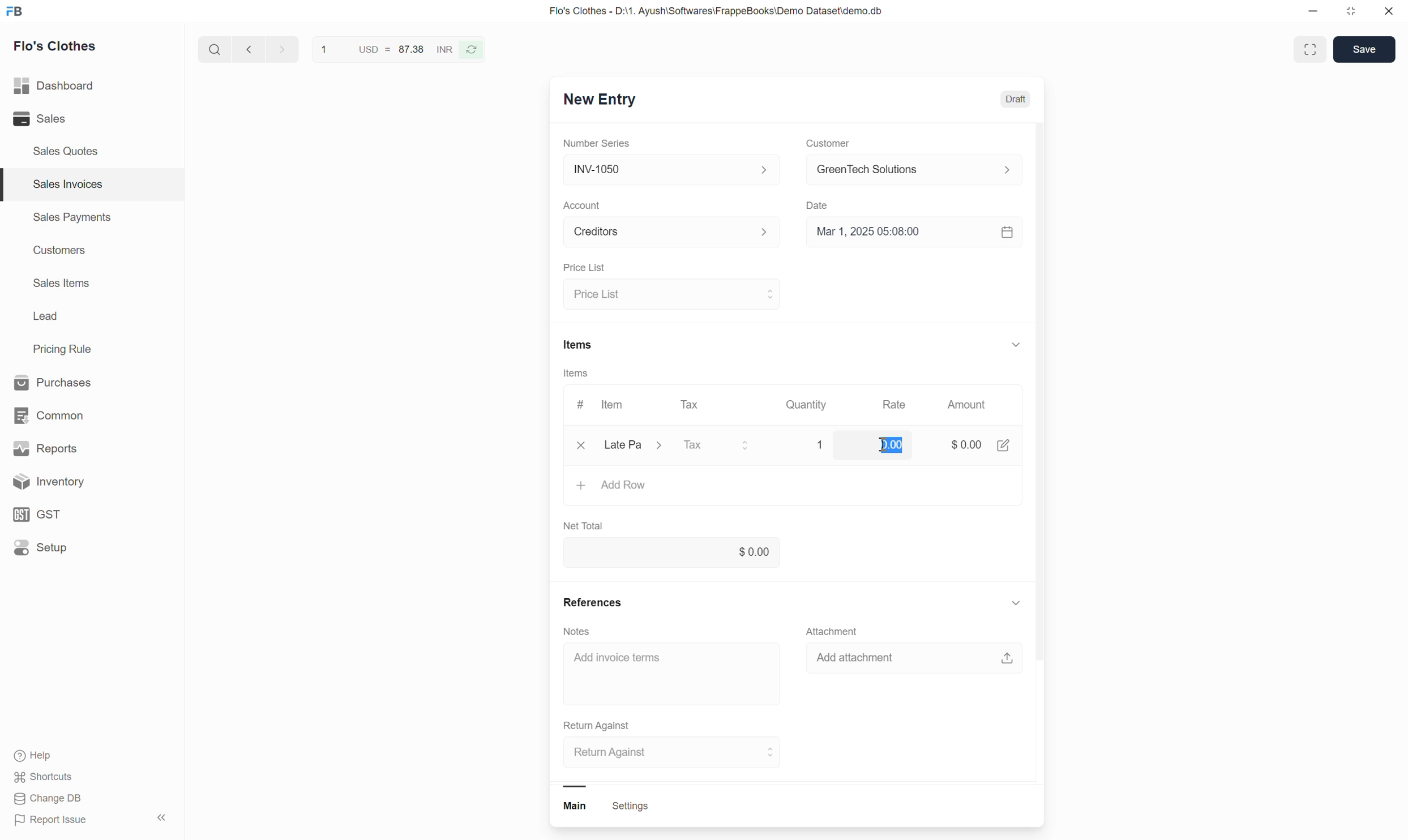 The height and width of the screenshot is (840, 1408). Describe the element at coordinates (914, 236) in the screenshot. I see `Select date ` at that location.